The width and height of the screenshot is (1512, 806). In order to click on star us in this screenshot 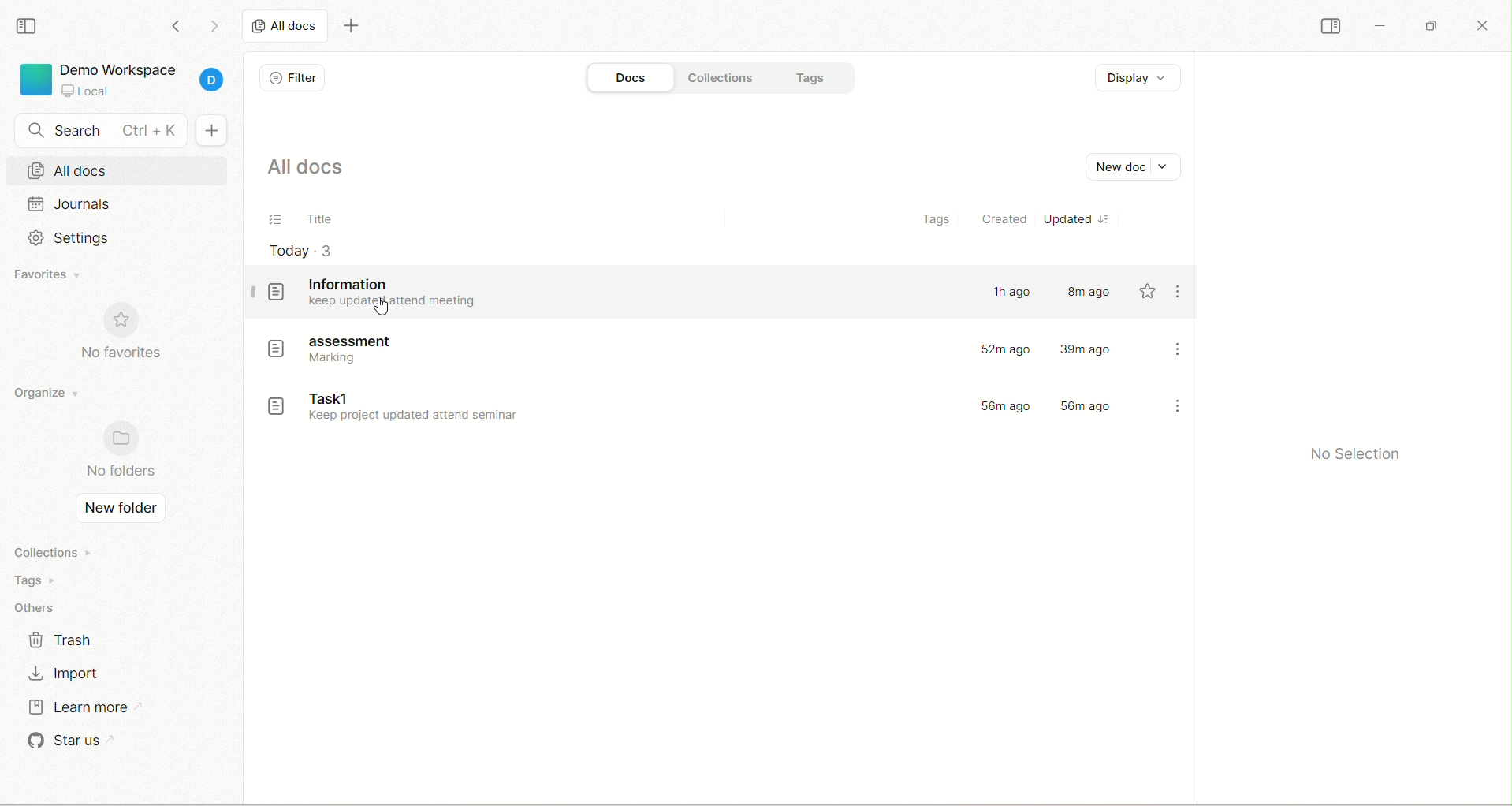, I will do `click(65, 741)`.